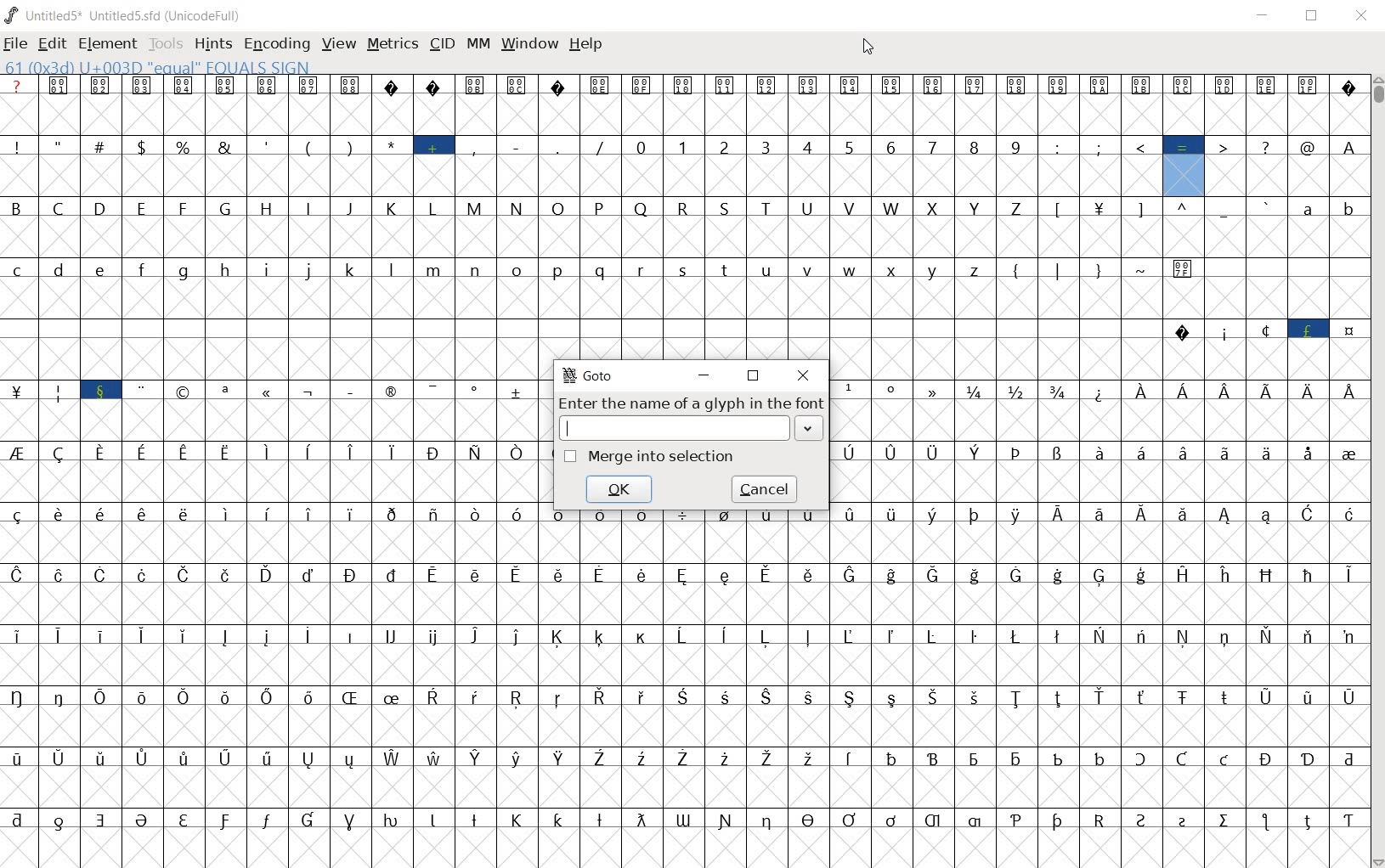  Describe the element at coordinates (803, 375) in the screenshot. I see `close` at that location.